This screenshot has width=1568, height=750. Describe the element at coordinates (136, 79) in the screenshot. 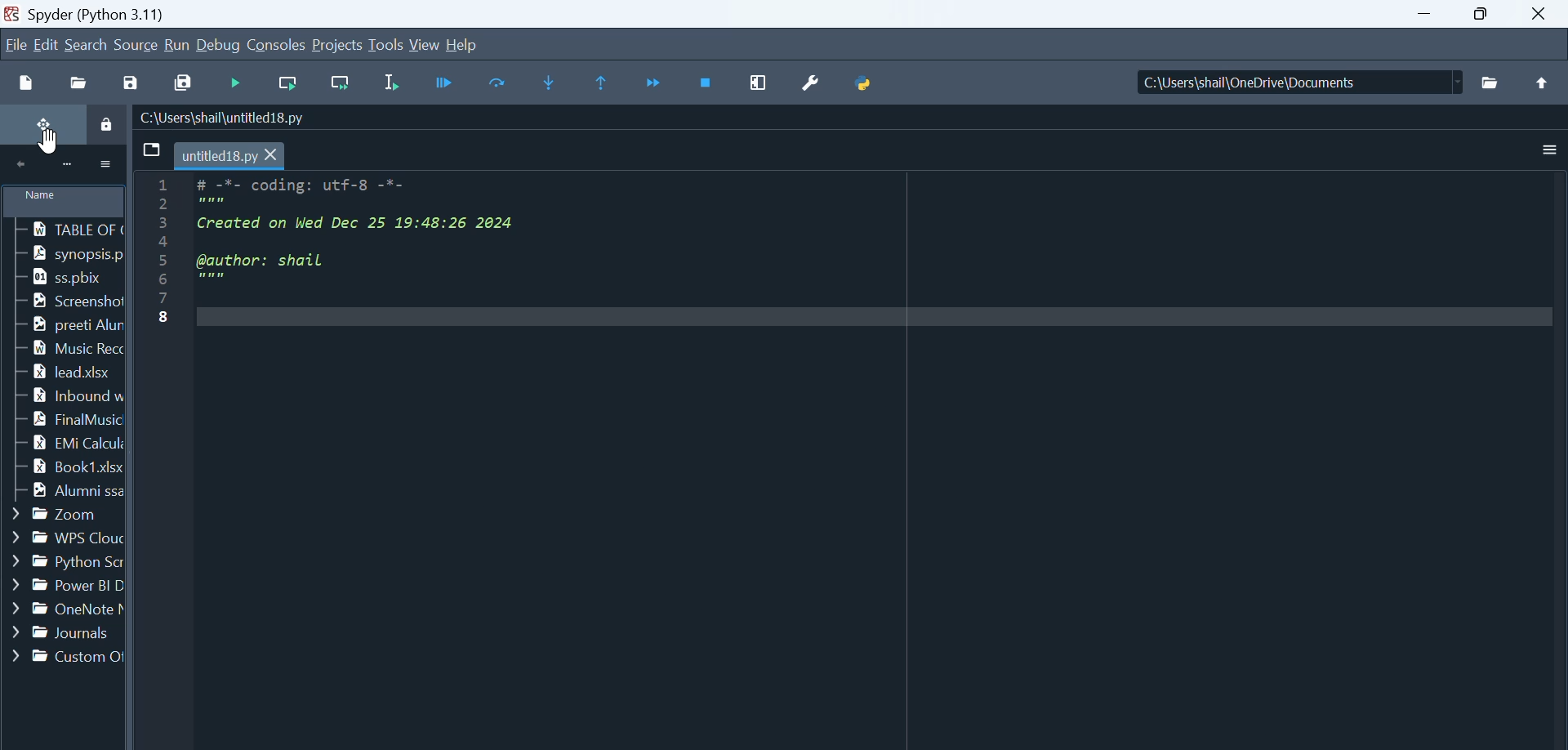

I see `Save` at that location.